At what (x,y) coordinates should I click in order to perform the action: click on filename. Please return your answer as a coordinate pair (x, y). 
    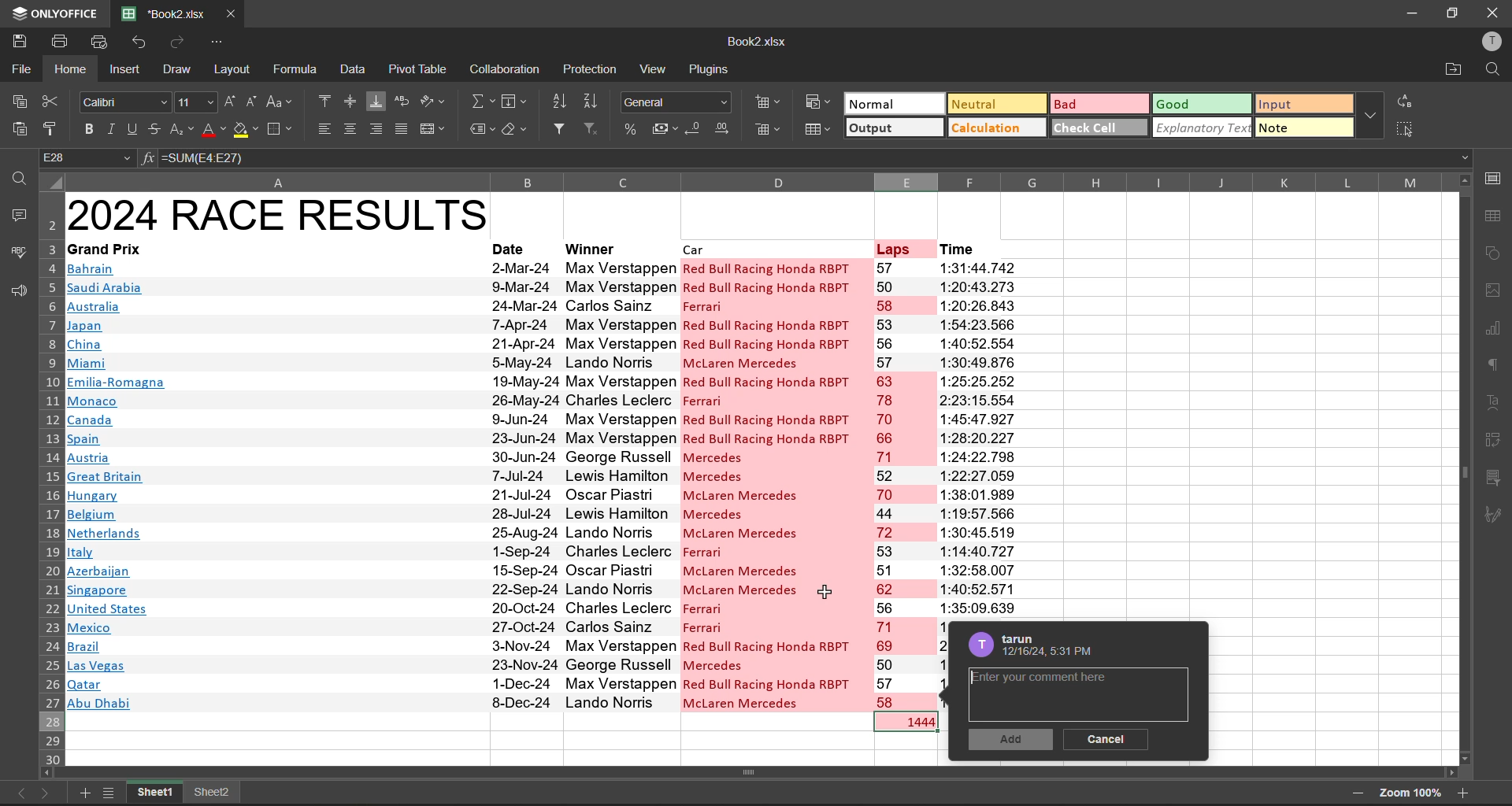
    Looking at the image, I should click on (162, 12).